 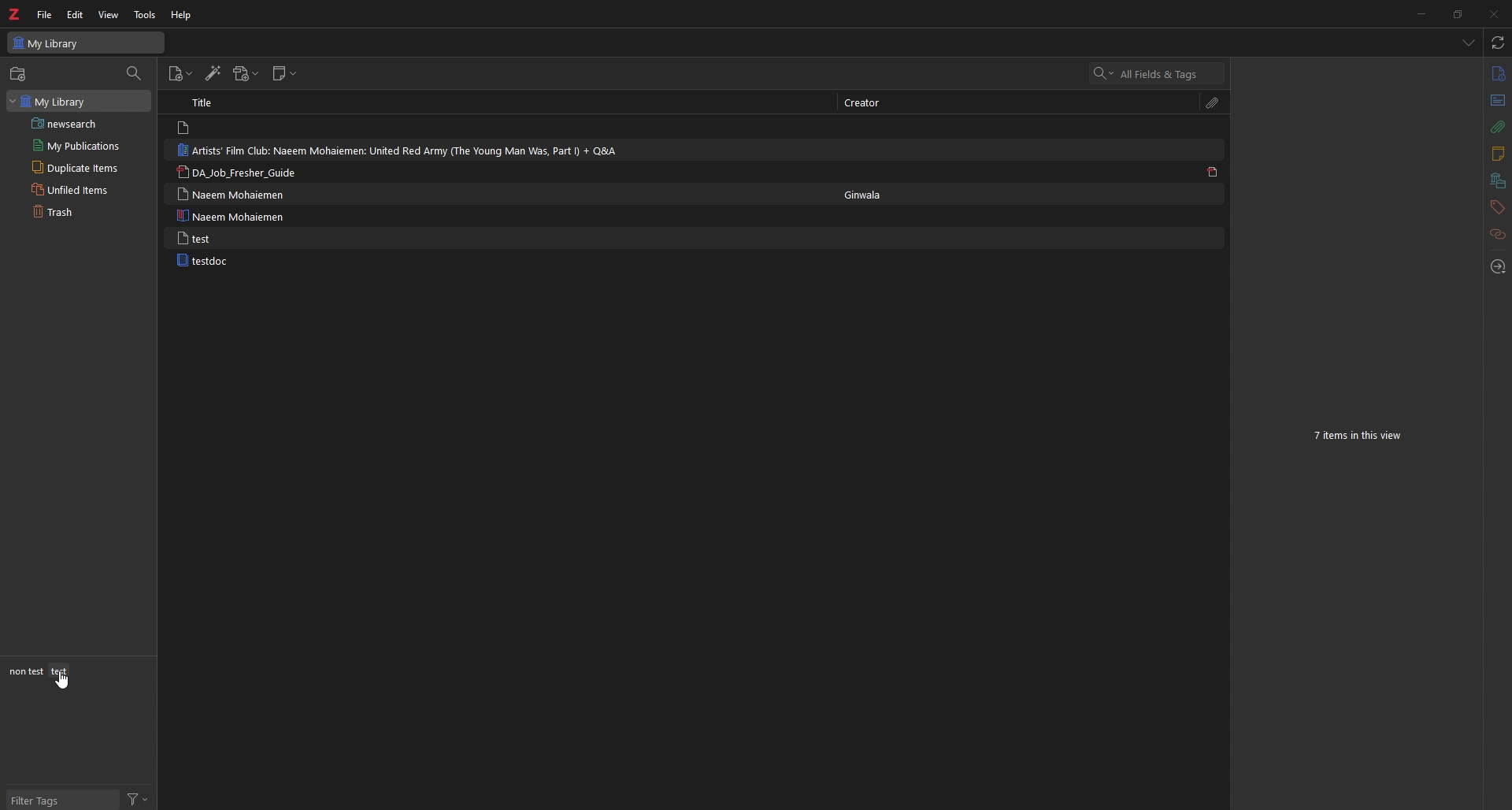 I want to click on pdf, so click(x=1210, y=173).